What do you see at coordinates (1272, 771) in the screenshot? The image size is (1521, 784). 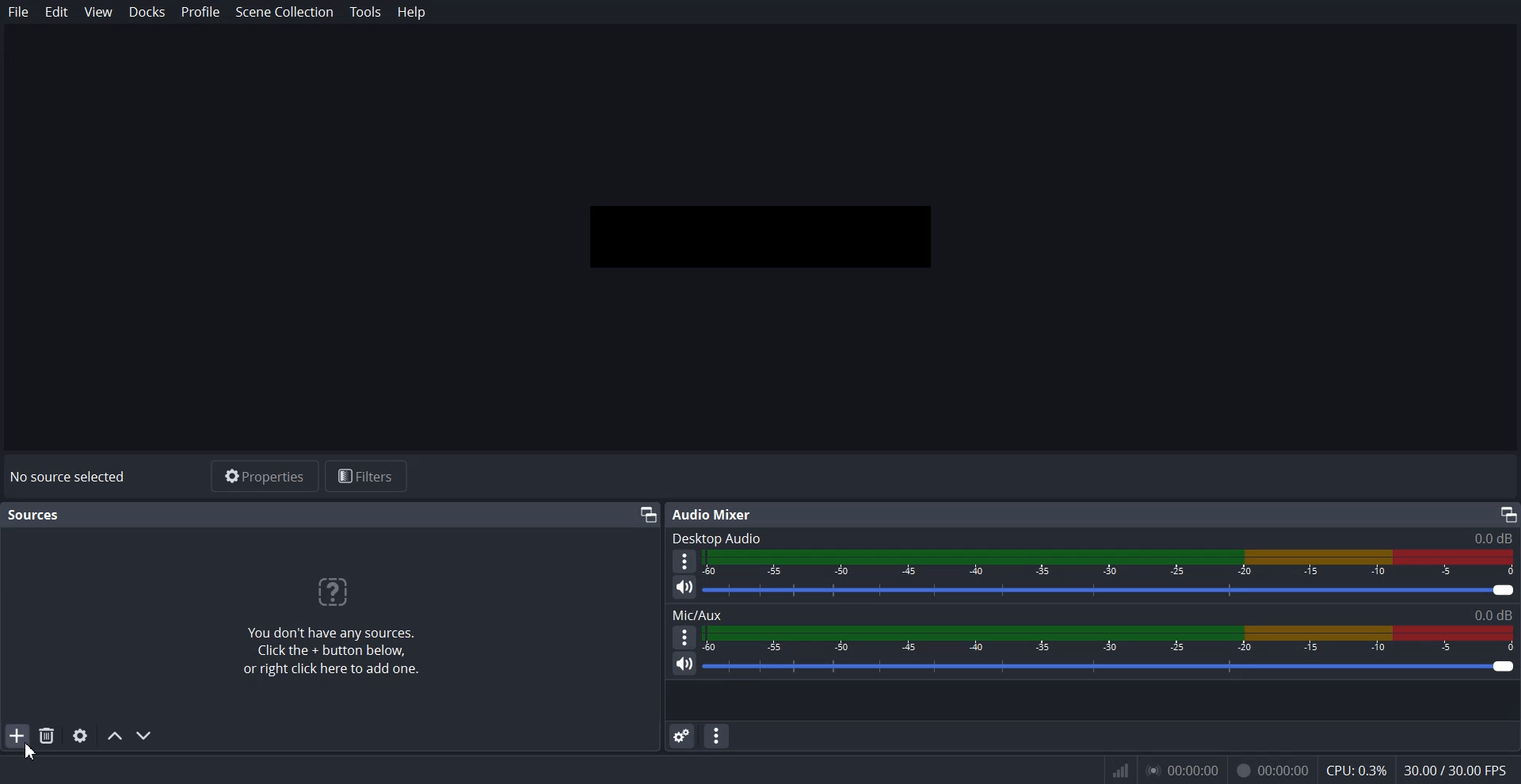 I see `Recording` at bounding box center [1272, 771].